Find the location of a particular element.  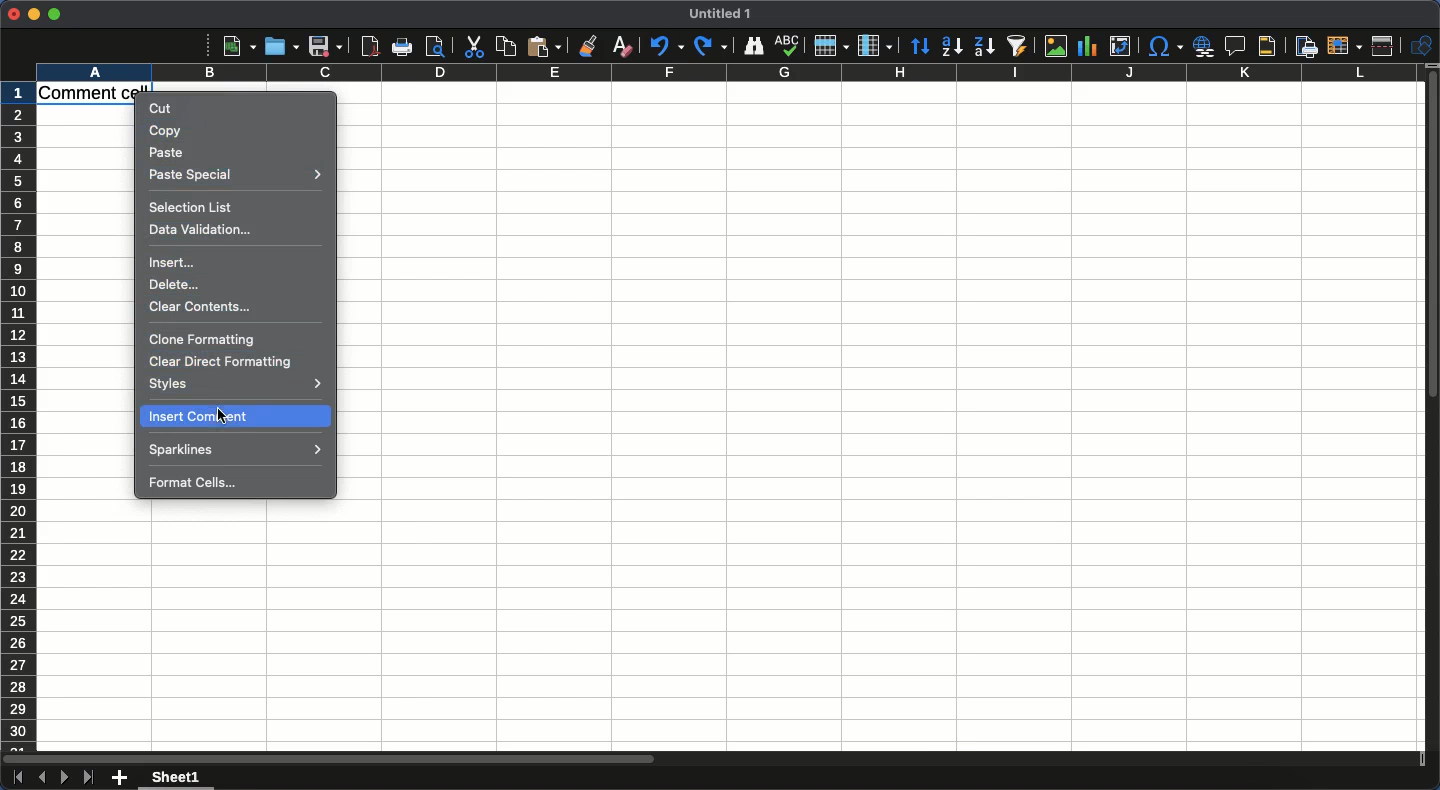

More is located at coordinates (202, 47).